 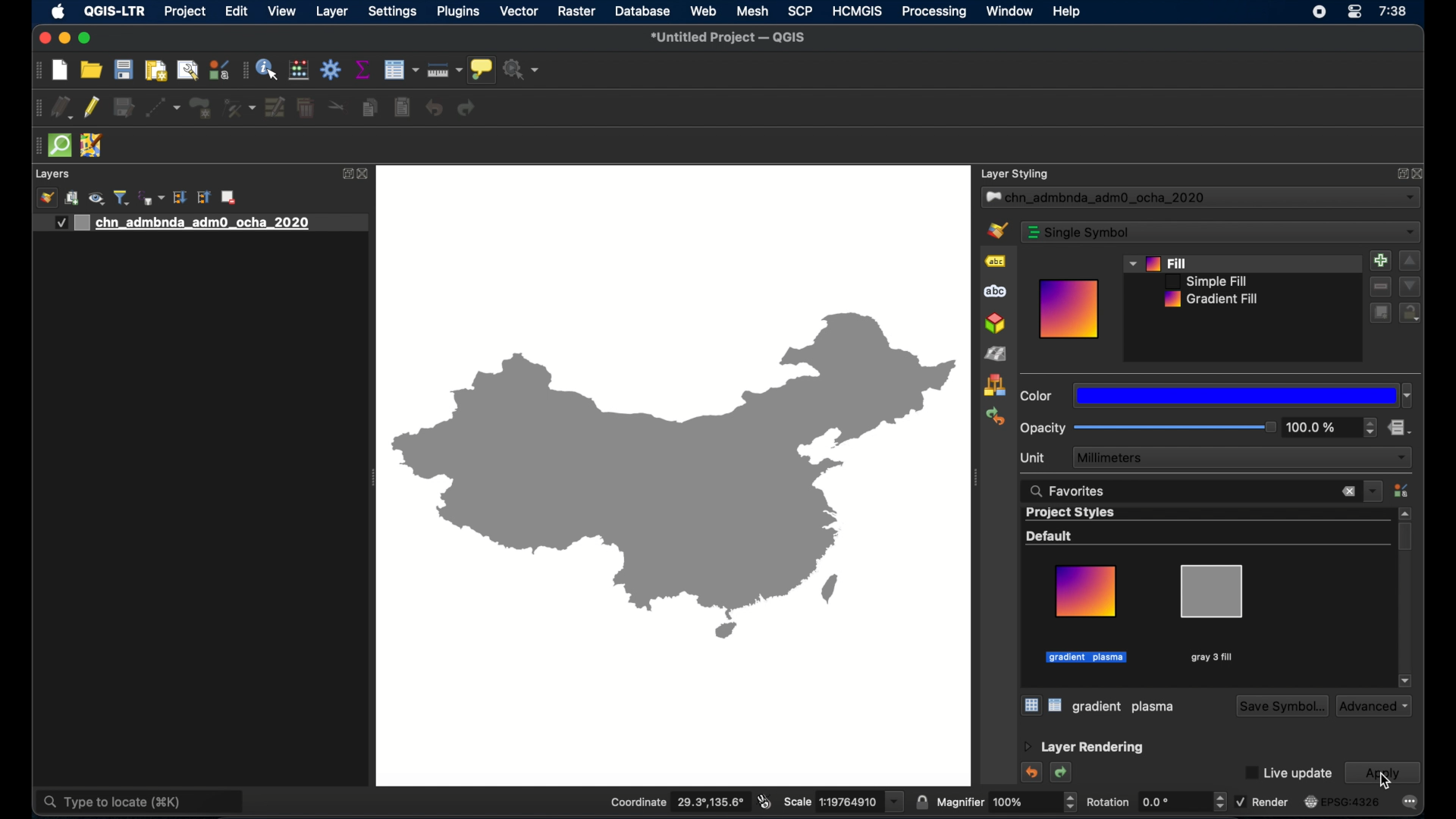 I want to click on open in new window, so click(x=1392, y=174).